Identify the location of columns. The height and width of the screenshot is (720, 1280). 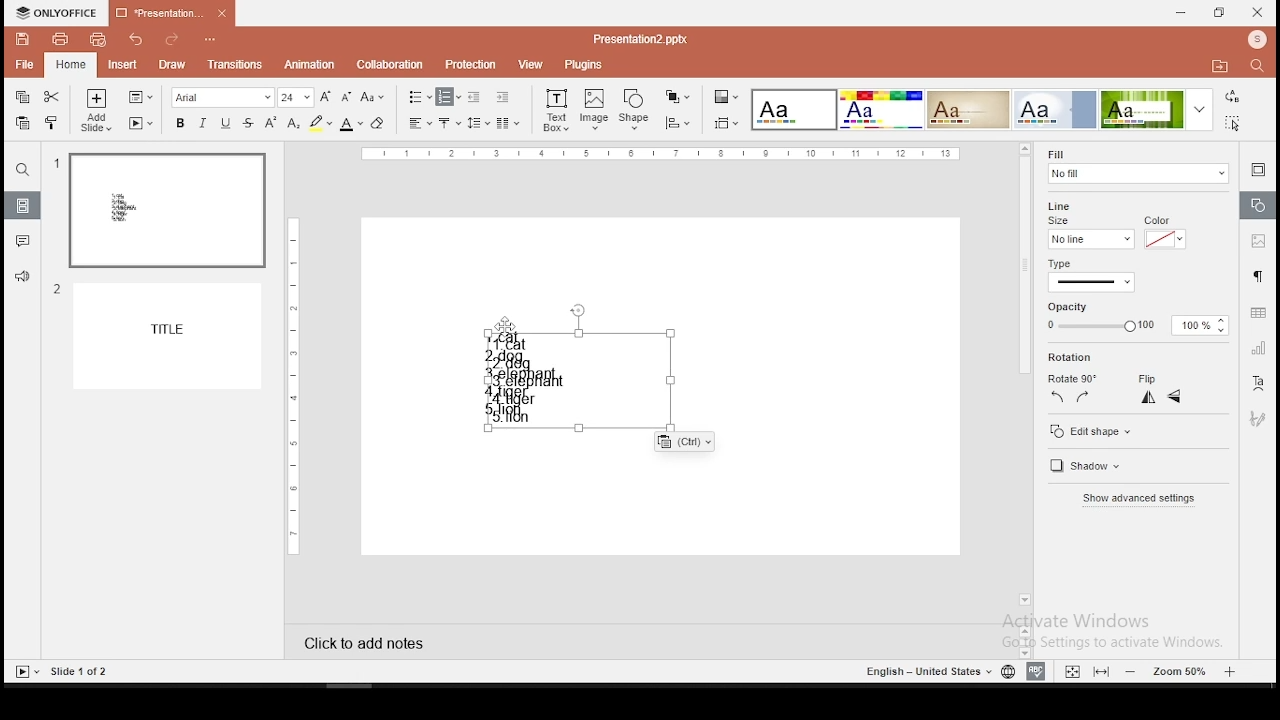
(508, 122).